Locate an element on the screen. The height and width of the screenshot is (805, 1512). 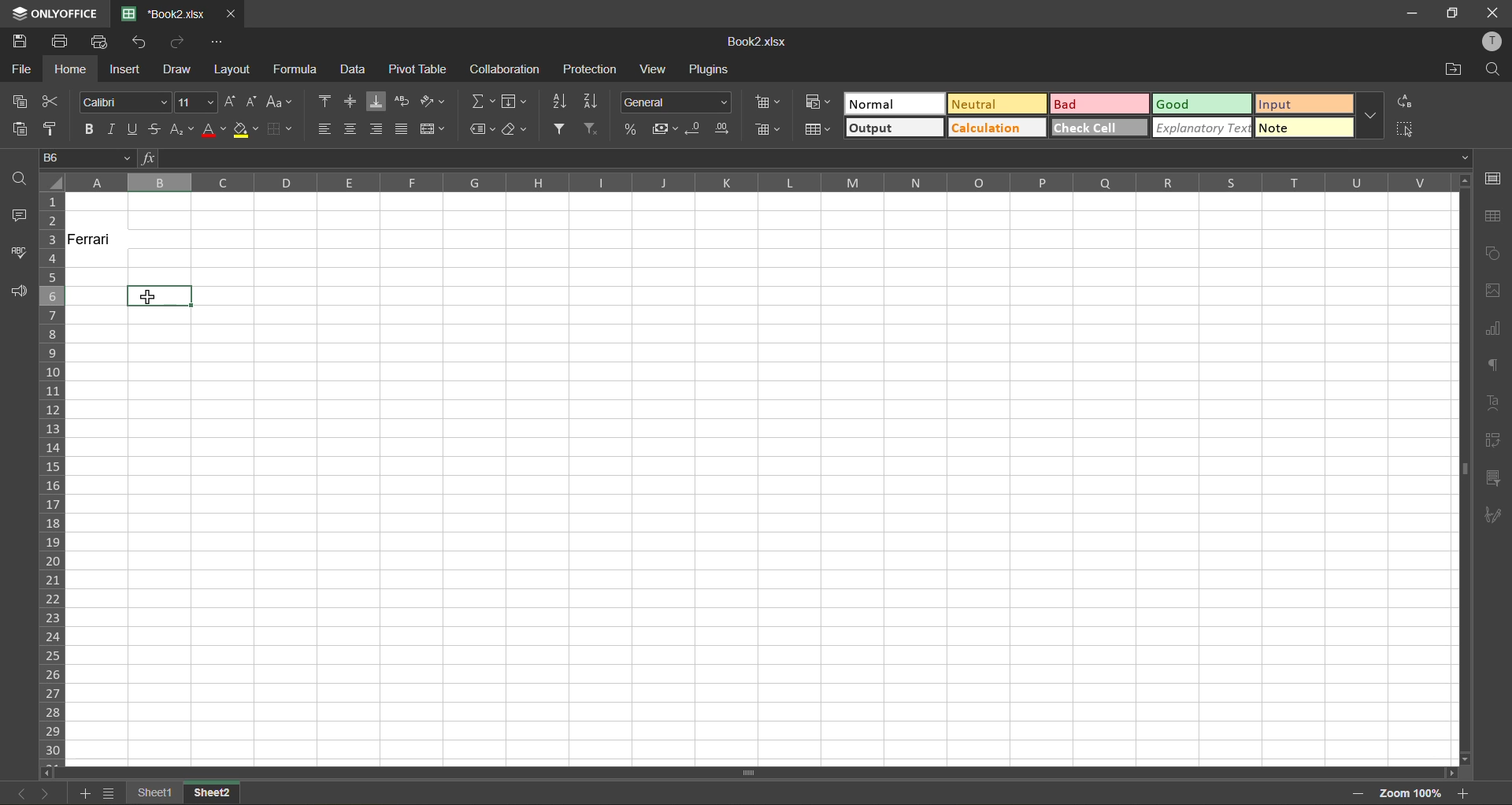
file is located at coordinates (20, 69).